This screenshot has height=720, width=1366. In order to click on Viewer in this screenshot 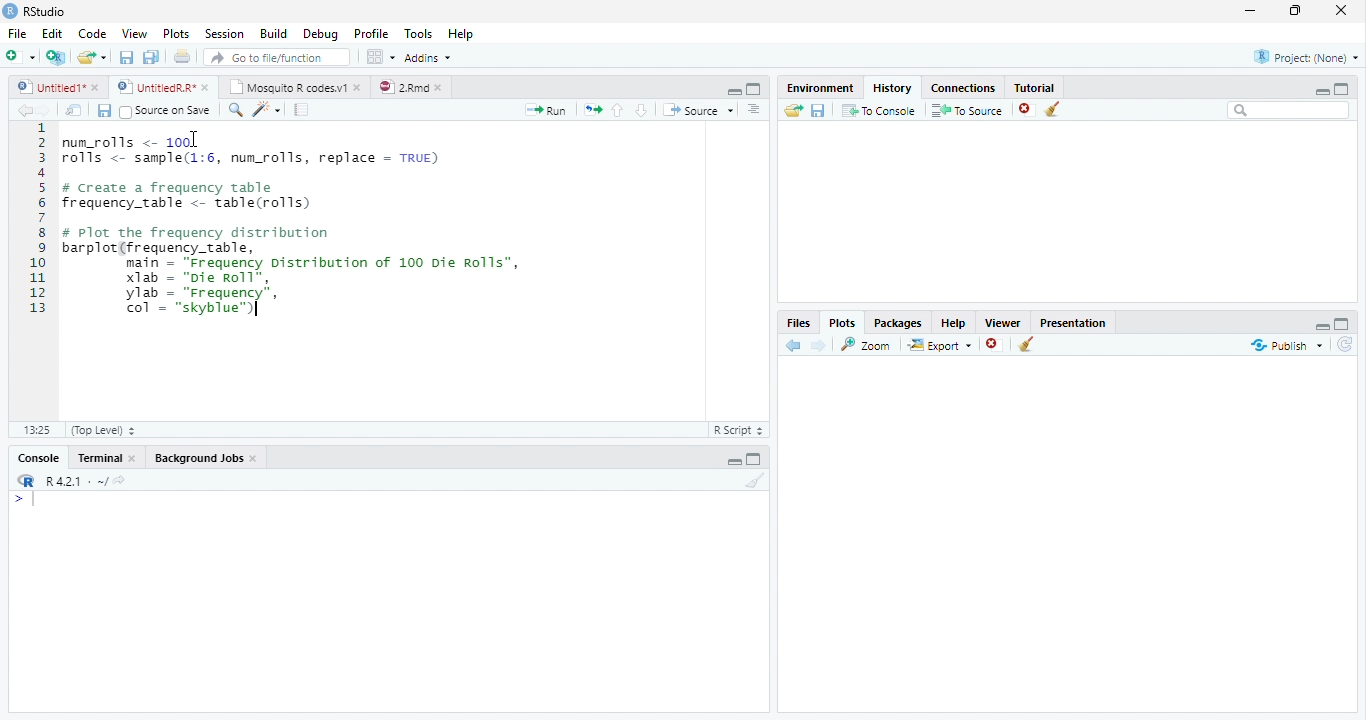, I will do `click(1002, 321)`.